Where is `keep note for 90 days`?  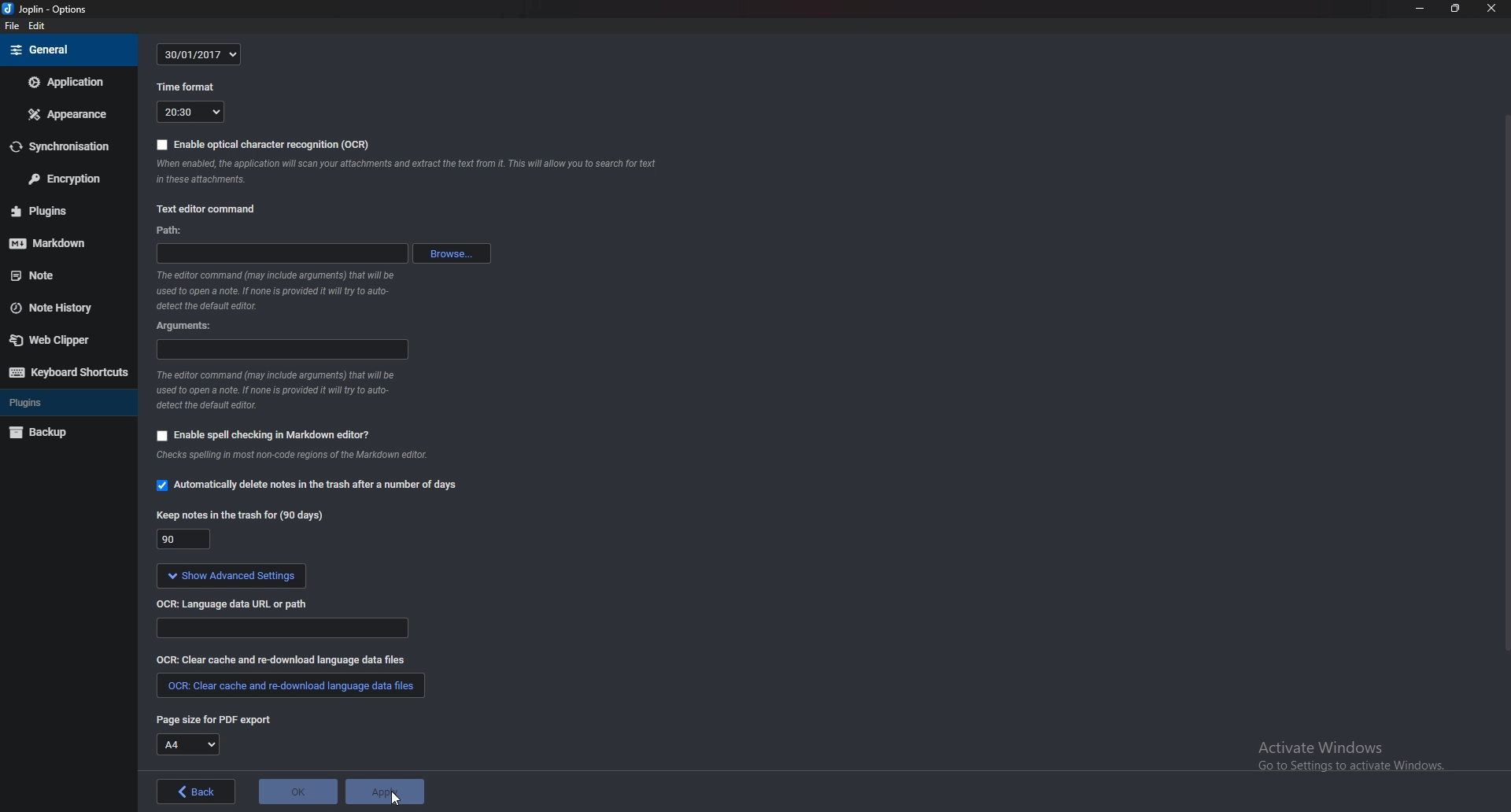
keep note for 90 days is located at coordinates (242, 514).